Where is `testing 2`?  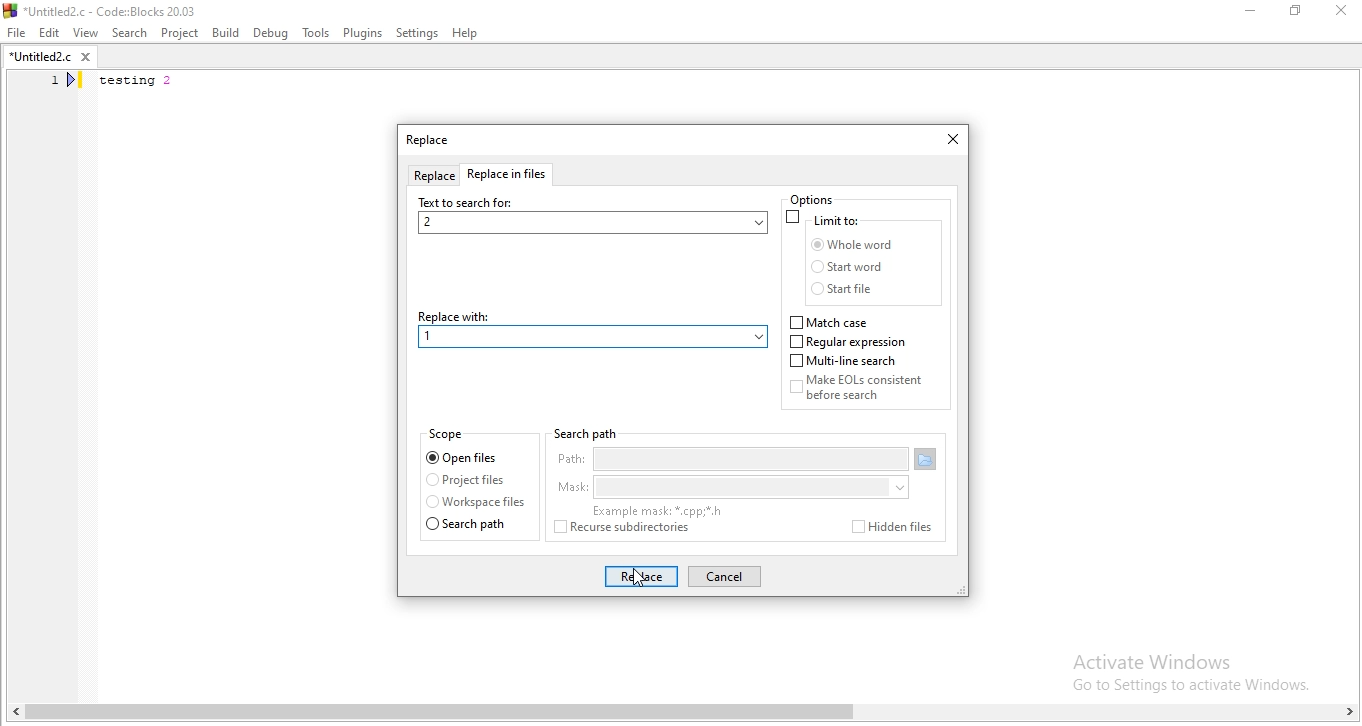 testing 2 is located at coordinates (140, 83).